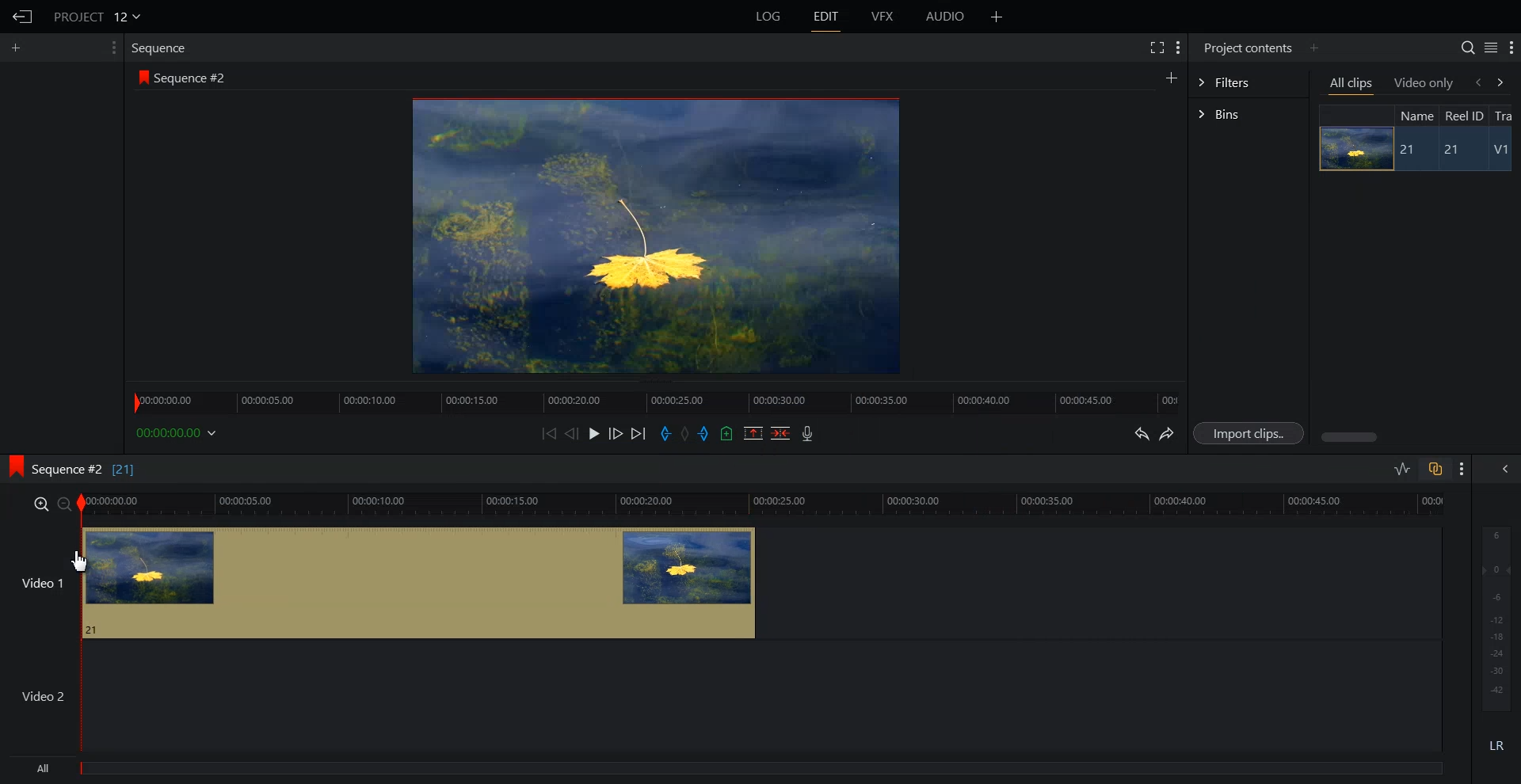  Describe the element at coordinates (1178, 48) in the screenshot. I see `Show setting menu` at that location.